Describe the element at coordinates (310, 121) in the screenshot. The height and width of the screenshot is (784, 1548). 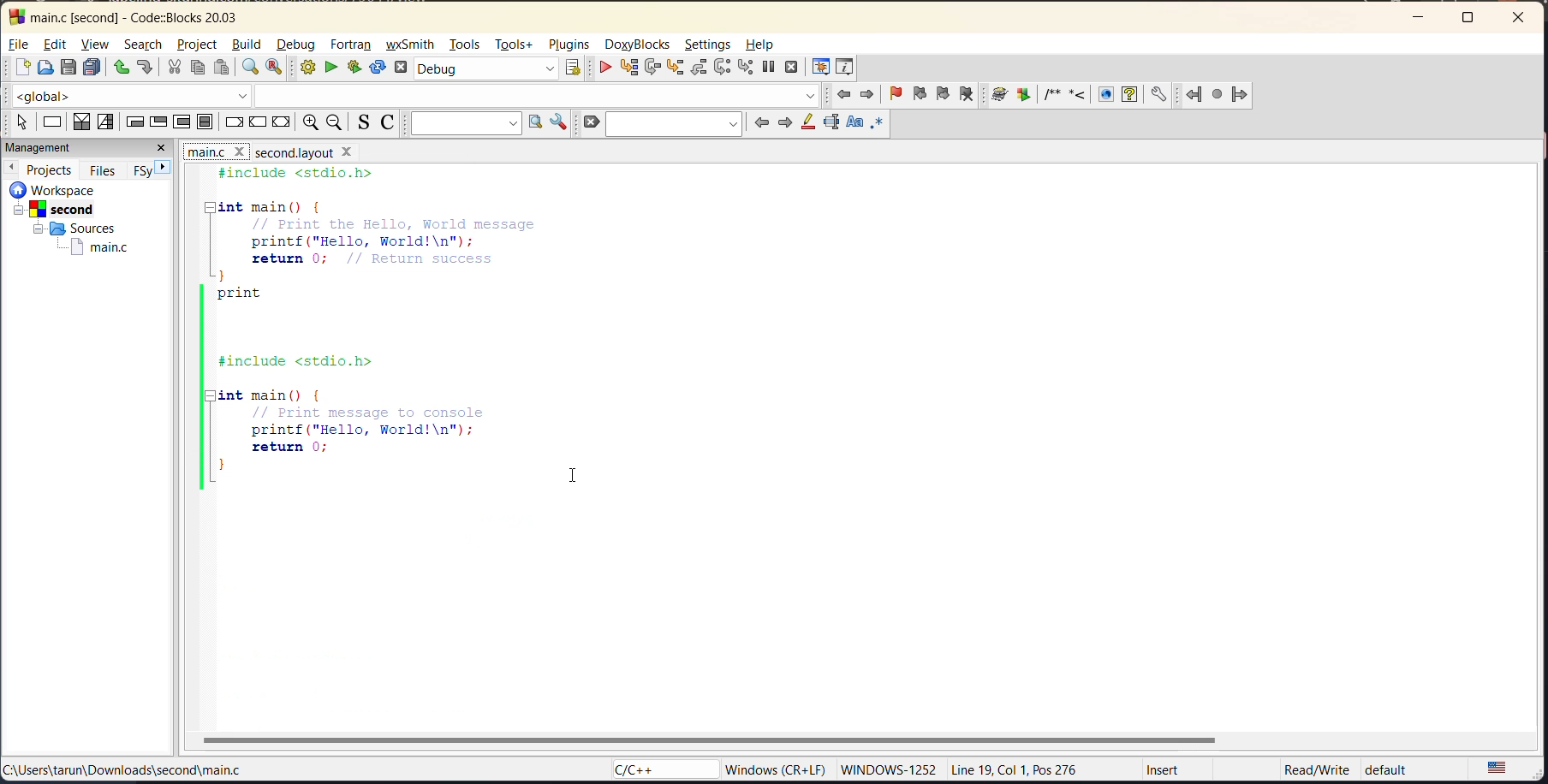
I see `zoom in` at that location.